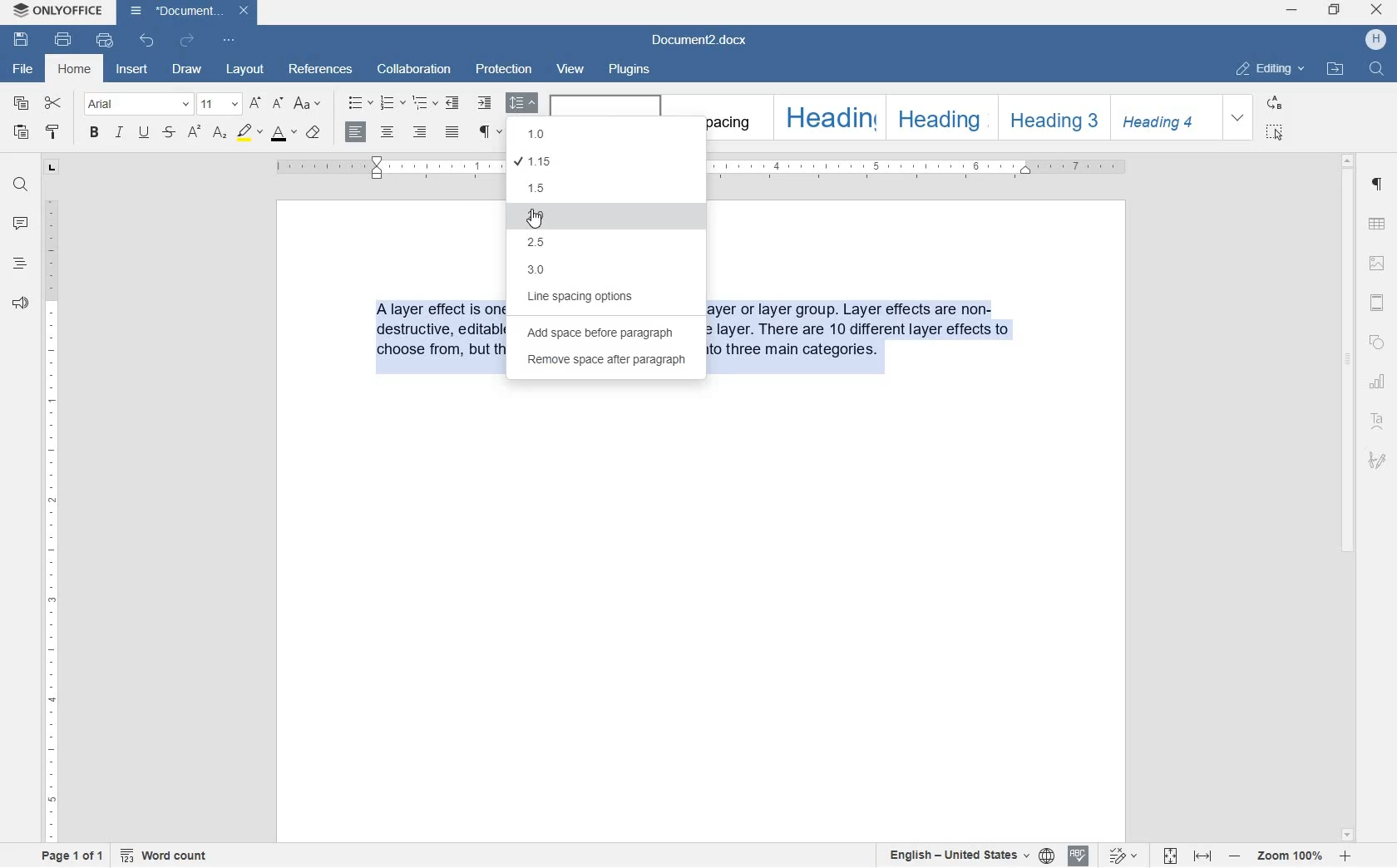 This screenshot has width=1397, height=868. I want to click on align right, so click(419, 132).